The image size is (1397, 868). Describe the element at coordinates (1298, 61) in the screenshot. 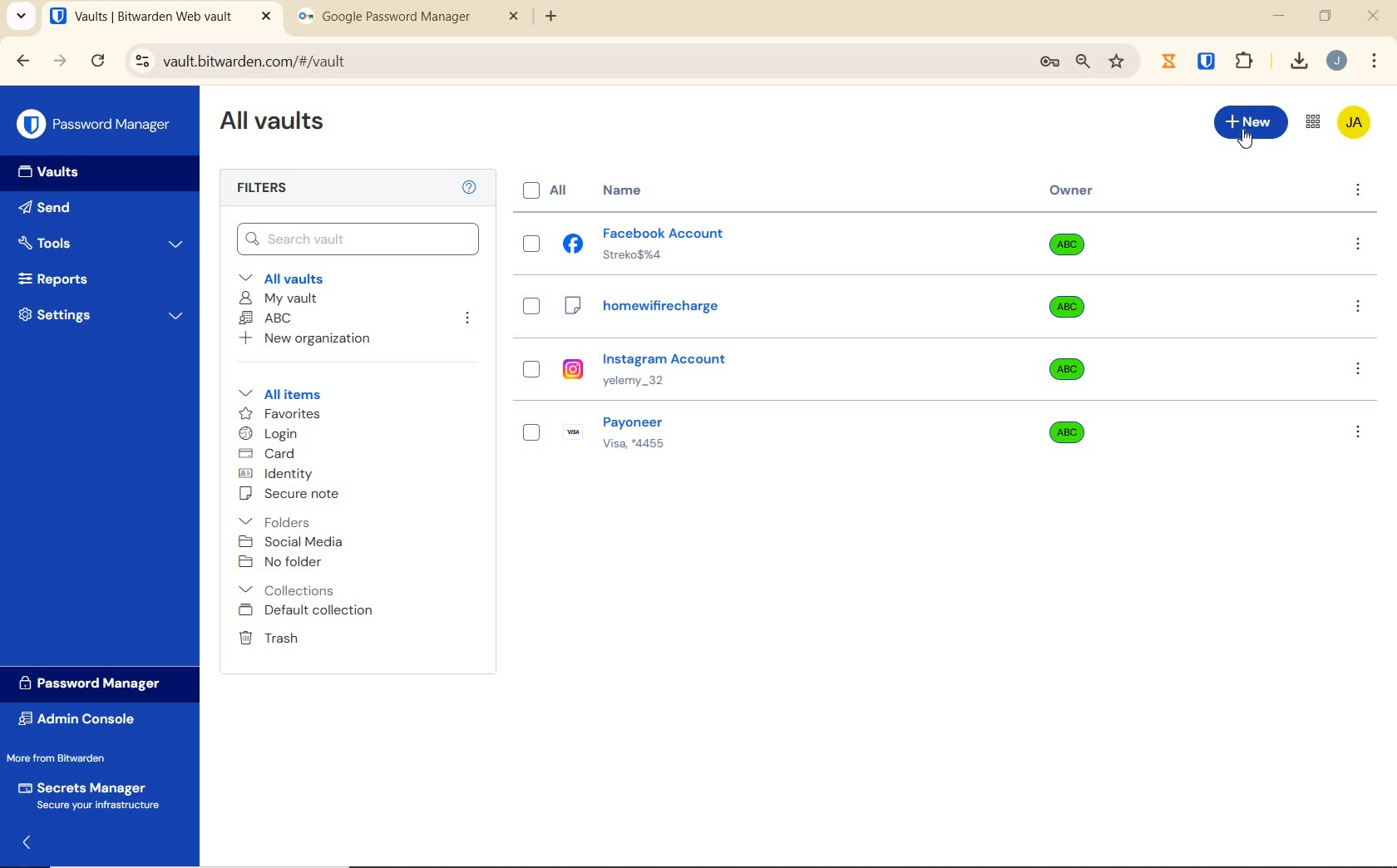

I see `download` at that location.